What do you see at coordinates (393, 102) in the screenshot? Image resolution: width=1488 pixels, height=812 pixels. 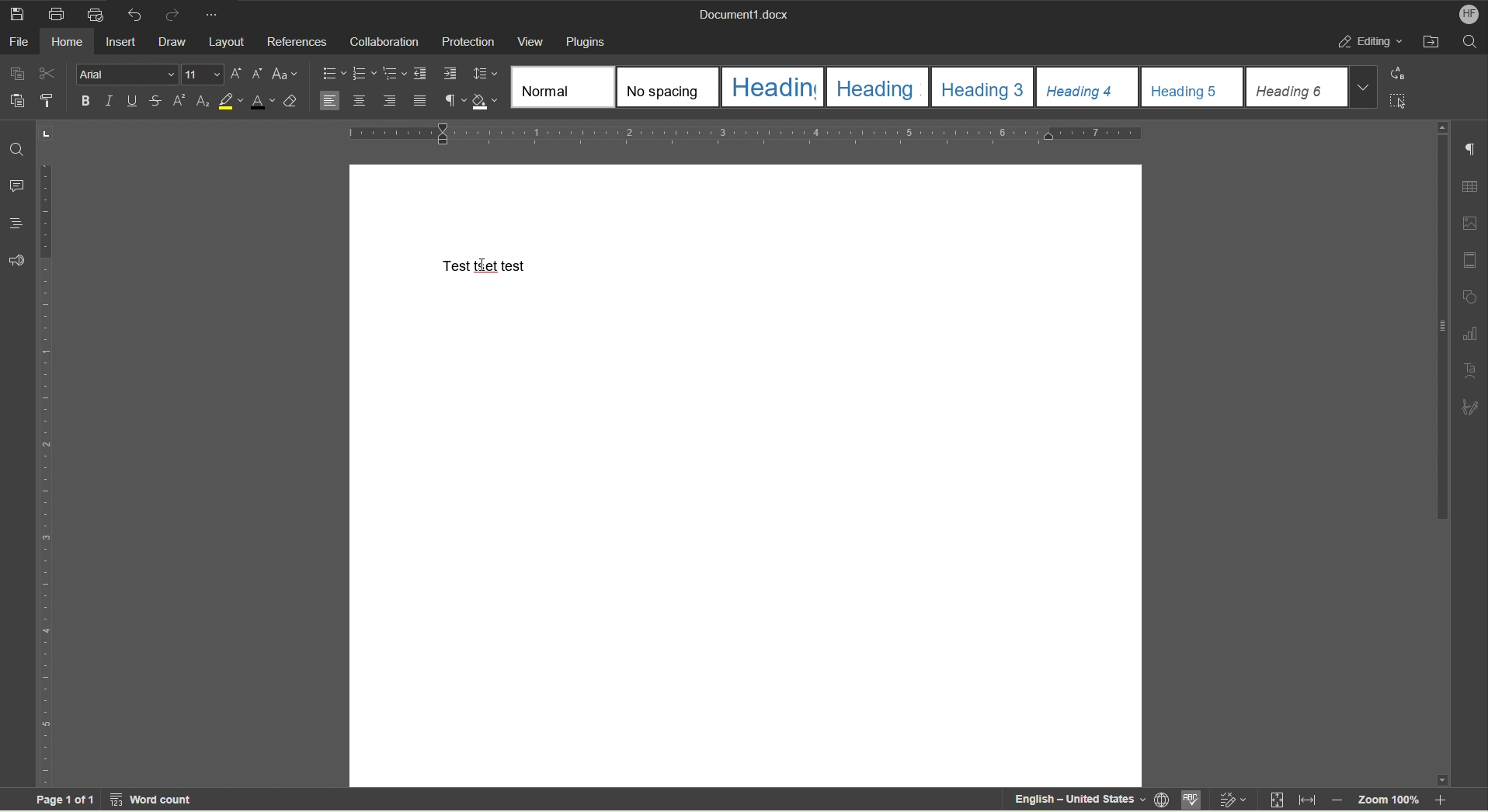 I see `Align Right` at bounding box center [393, 102].